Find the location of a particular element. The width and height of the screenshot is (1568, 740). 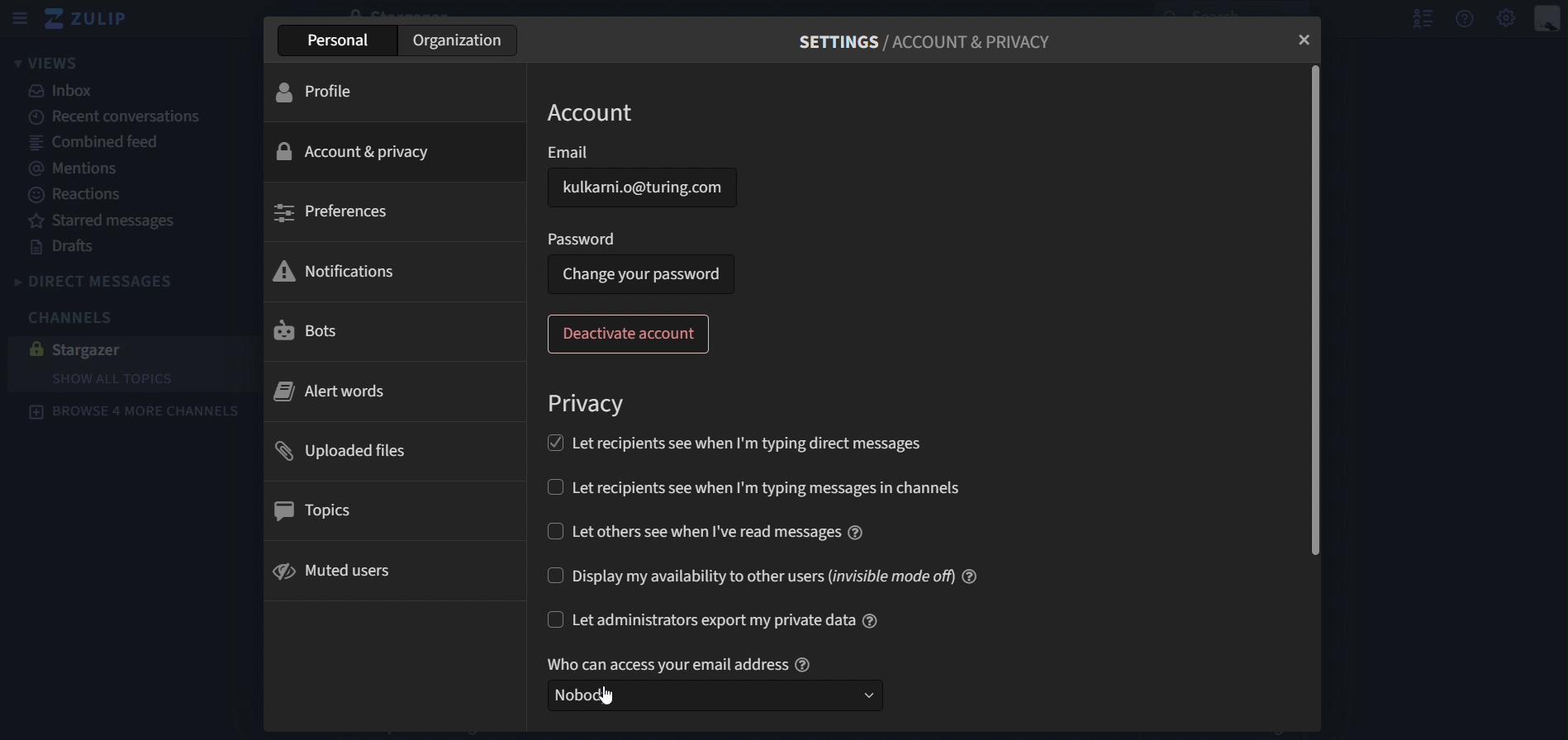

inbox is located at coordinates (67, 93).